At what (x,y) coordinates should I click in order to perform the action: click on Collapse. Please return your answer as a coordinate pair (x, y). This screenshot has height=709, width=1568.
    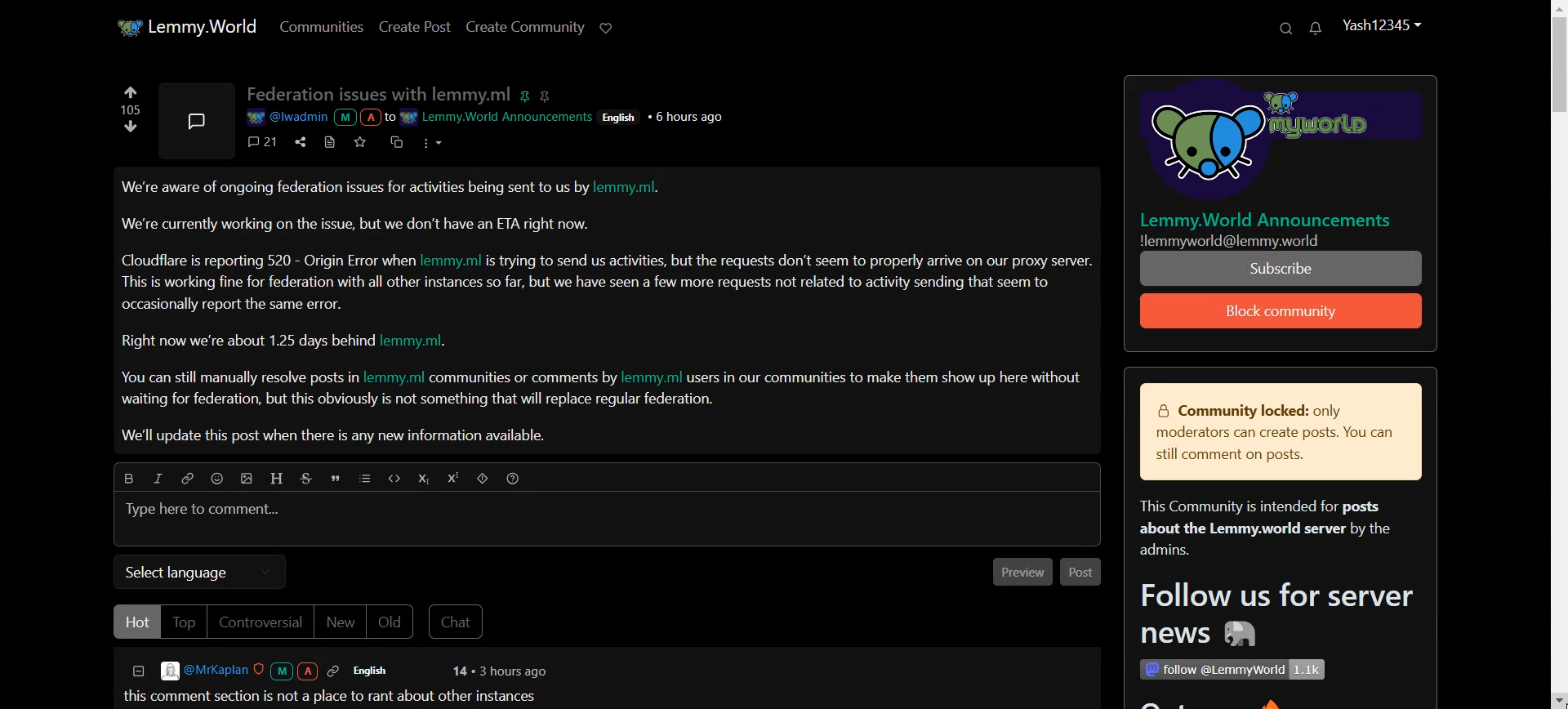
    Looking at the image, I should click on (139, 670).